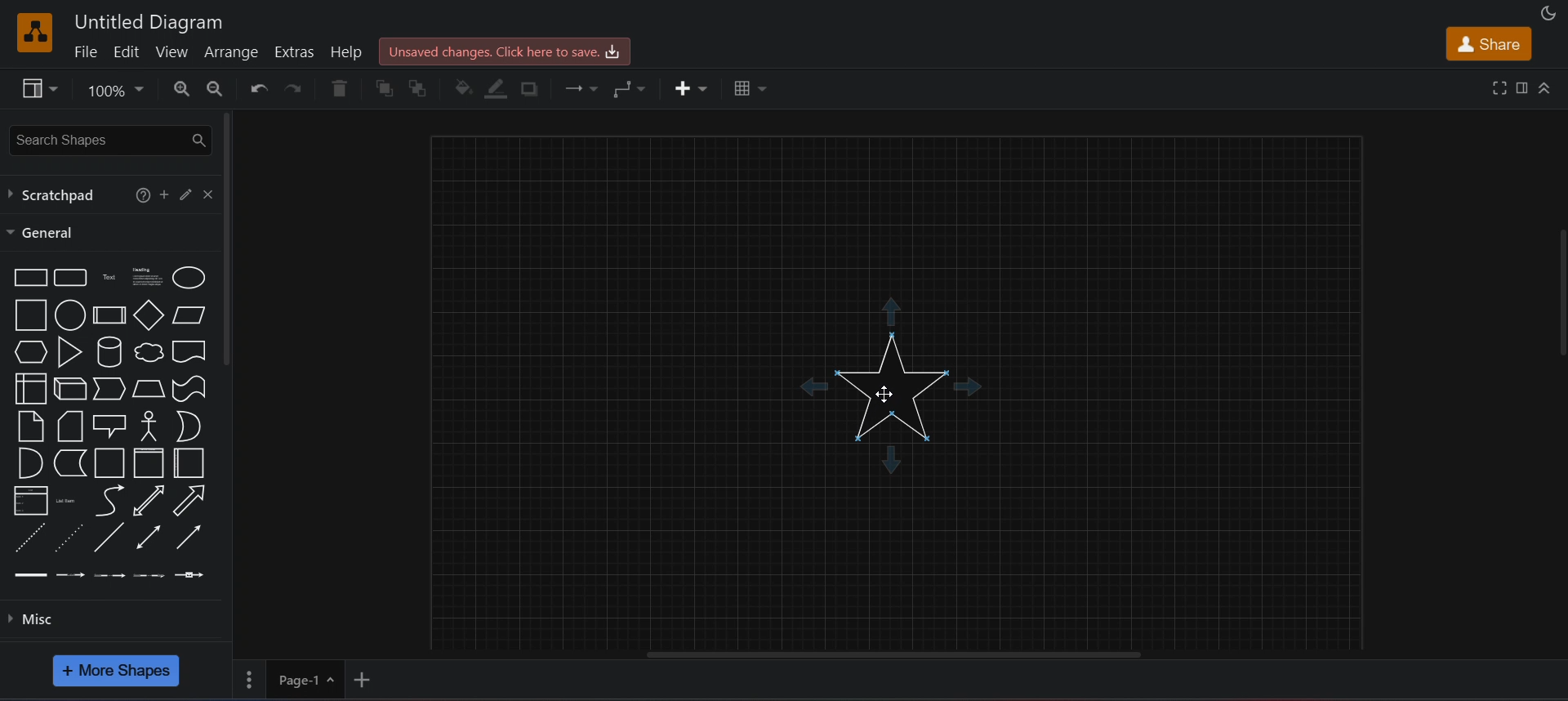 This screenshot has width=1568, height=701. What do you see at coordinates (29, 536) in the screenshot?
I see `dashed line` at bounding box center [29, 536].